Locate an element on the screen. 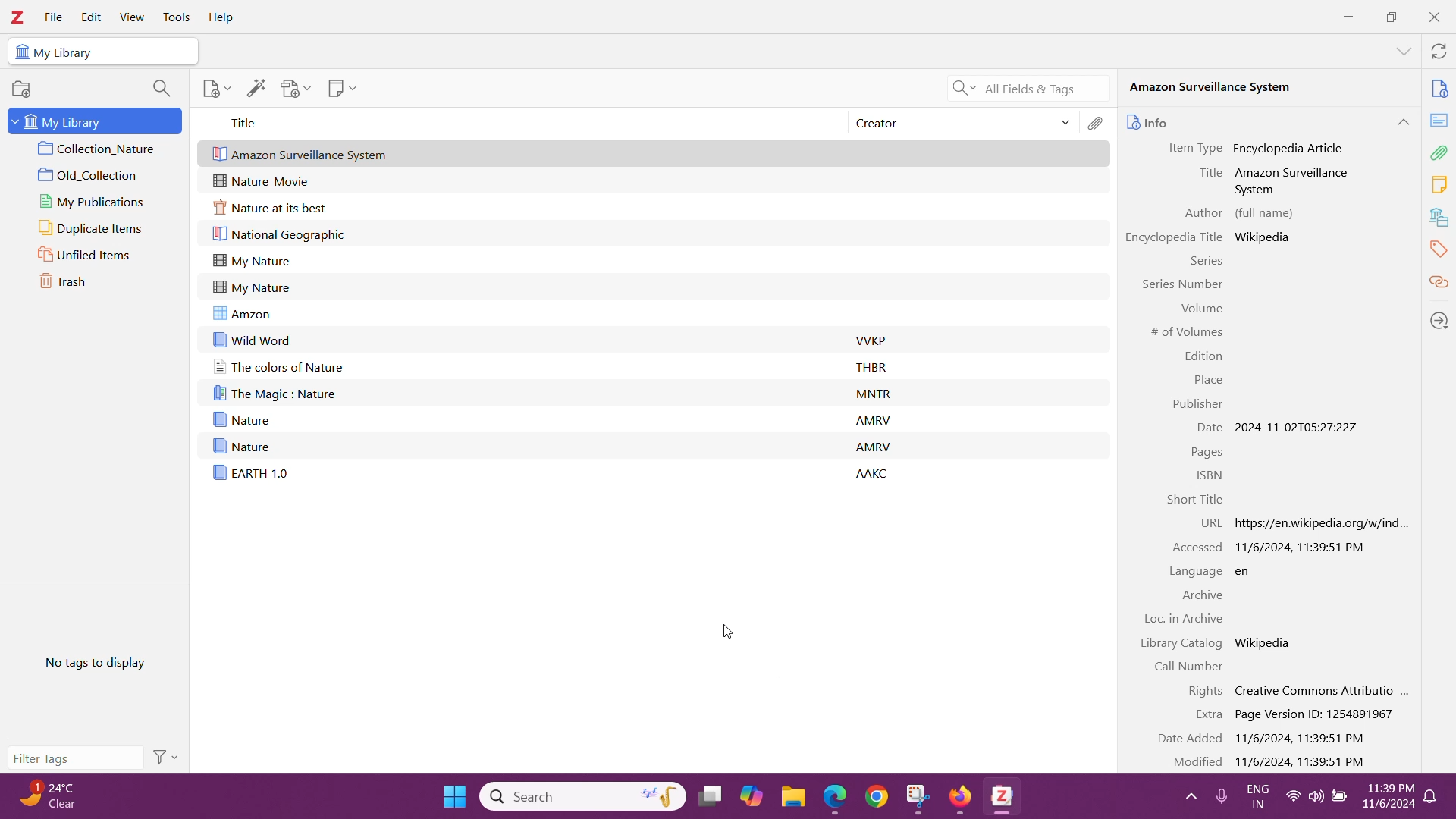  Sort Items by Creator is located at coordinates (1065, 124).